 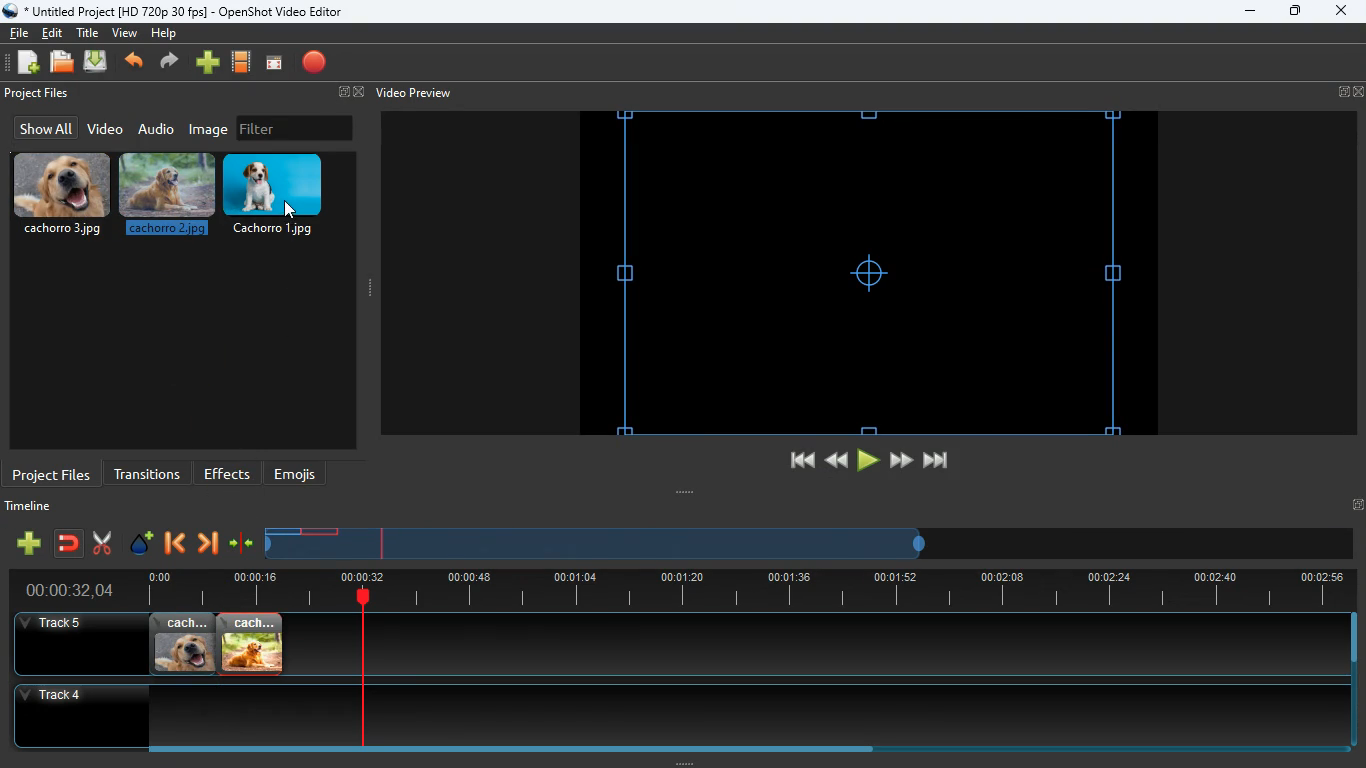 I want to click on record, so click(x=316, y=64).